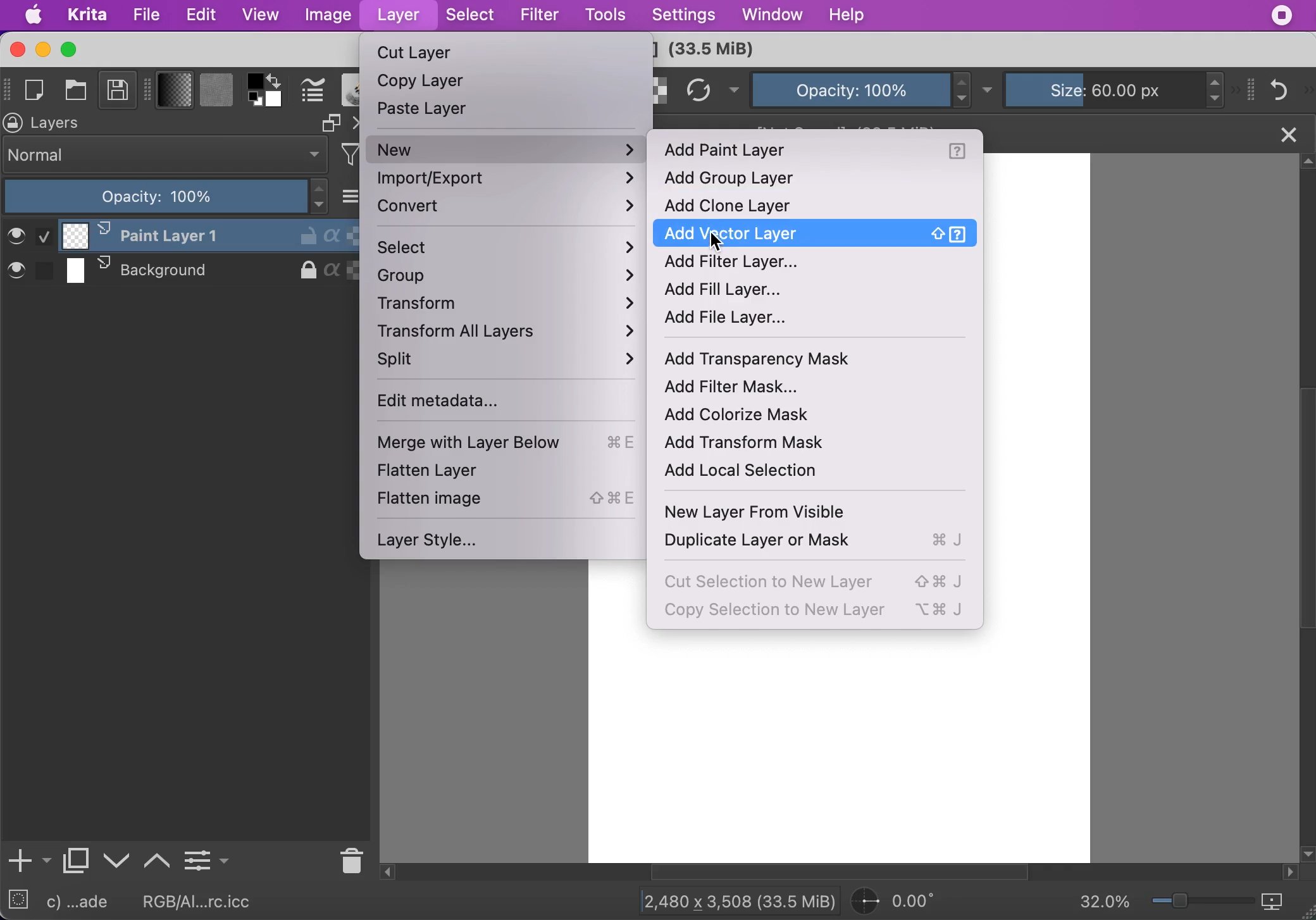 The width and height of the screenshot is (1316, 920). I want to click on create a new document, so click(38, 90).